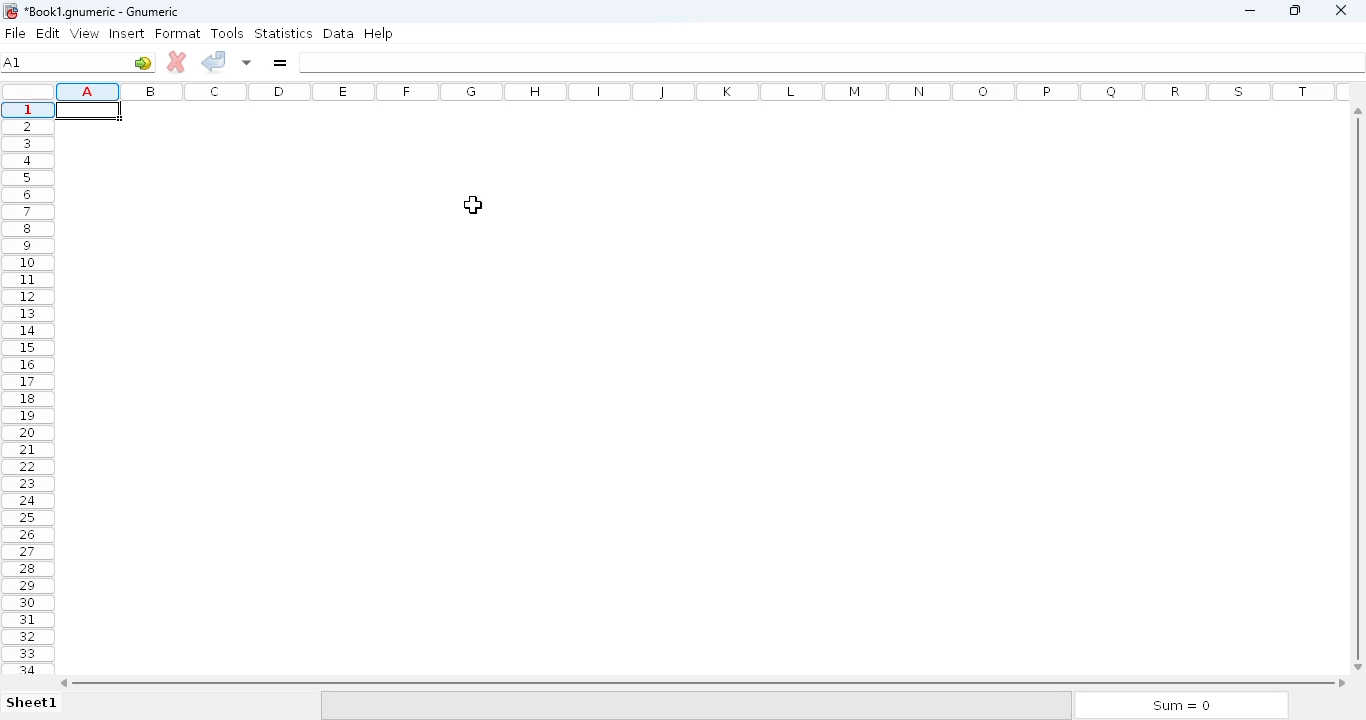 This screenshot has height=720, width=1366. I want to click on gridlines hidden, so click(697, 390).